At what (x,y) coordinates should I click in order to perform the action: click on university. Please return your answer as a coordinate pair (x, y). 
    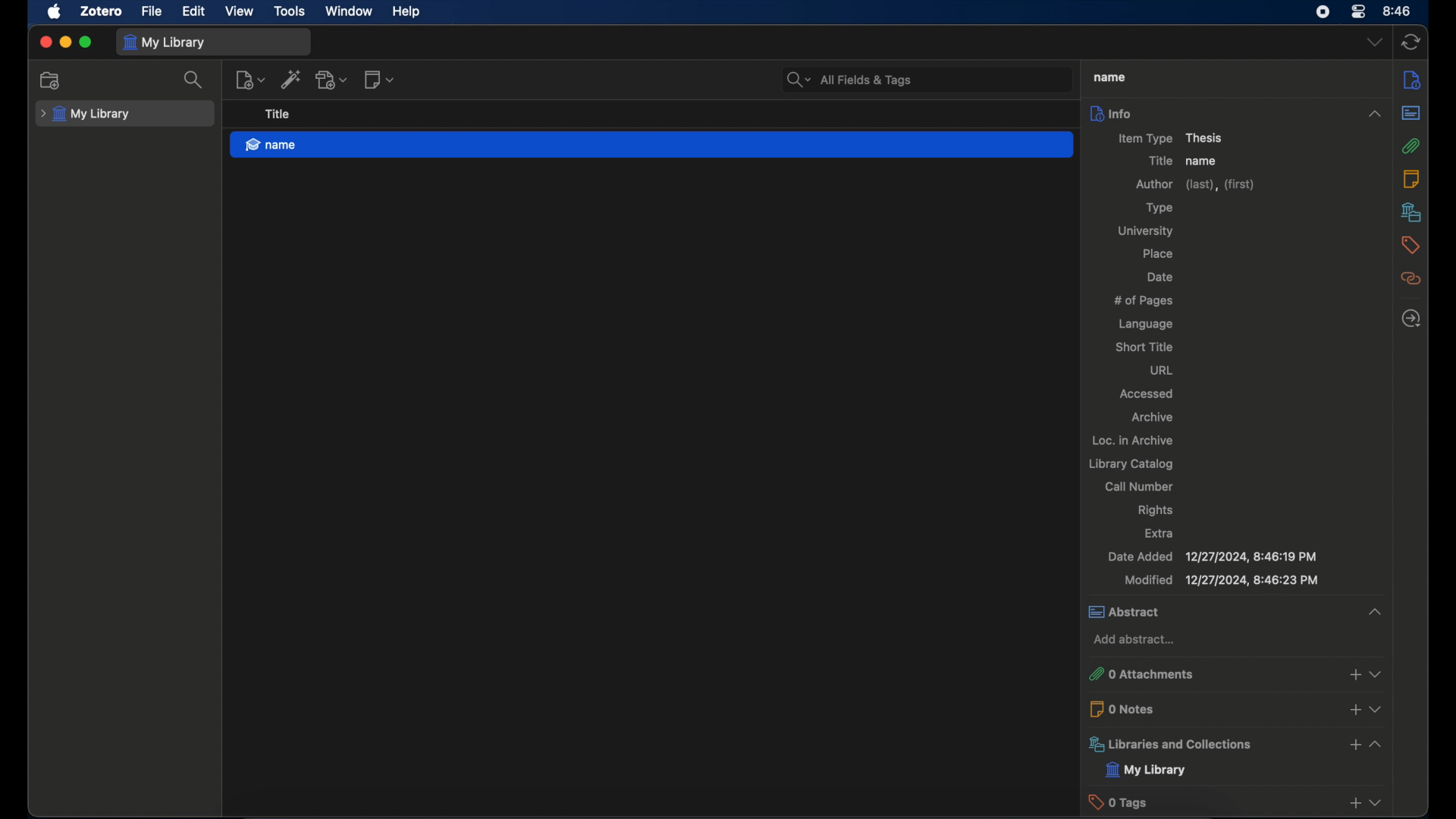
    Looking at the image, I should click on (1148, 231).